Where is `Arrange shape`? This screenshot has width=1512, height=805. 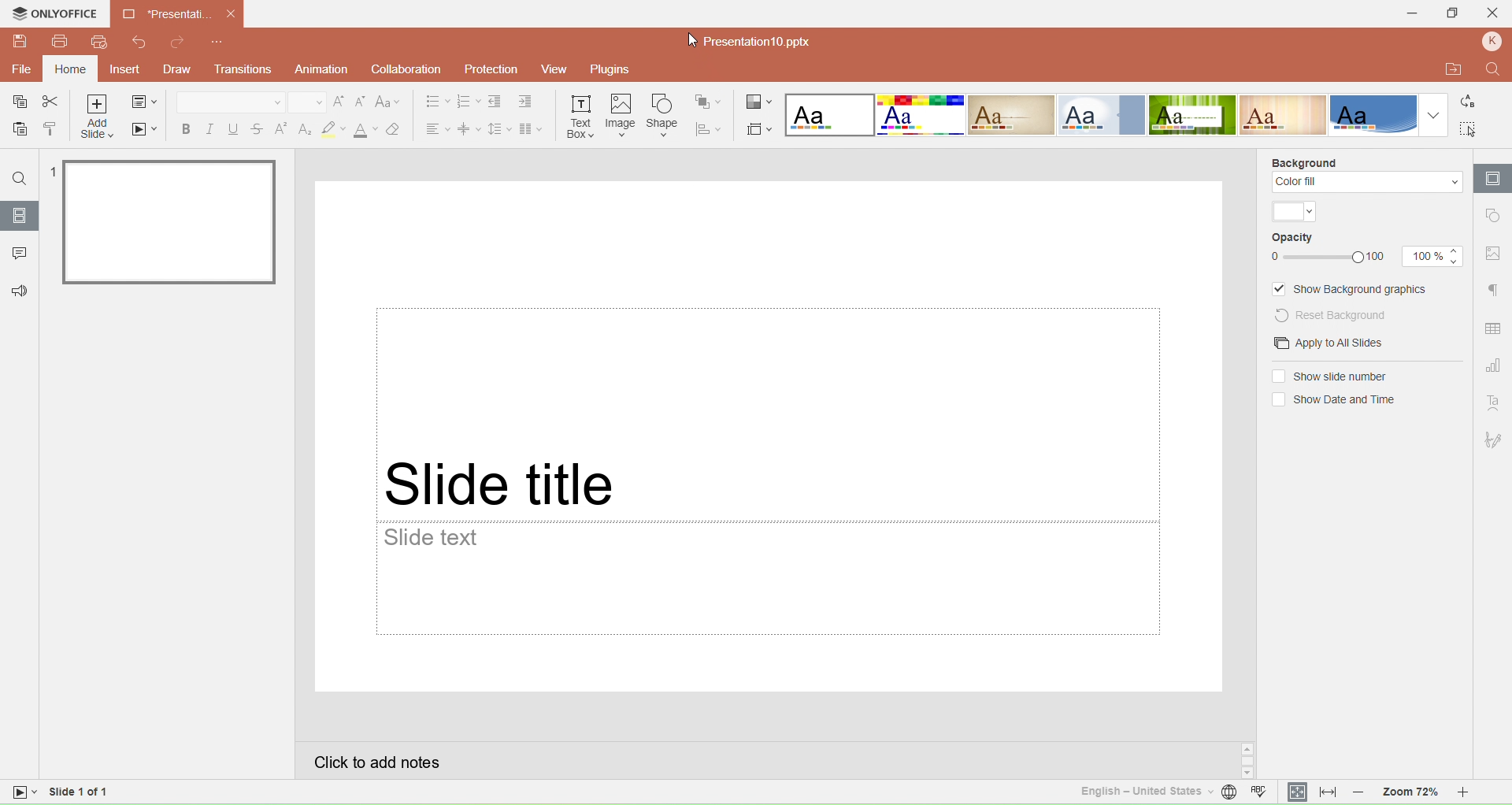 Arrange shape is located at coordinates (710, 100).